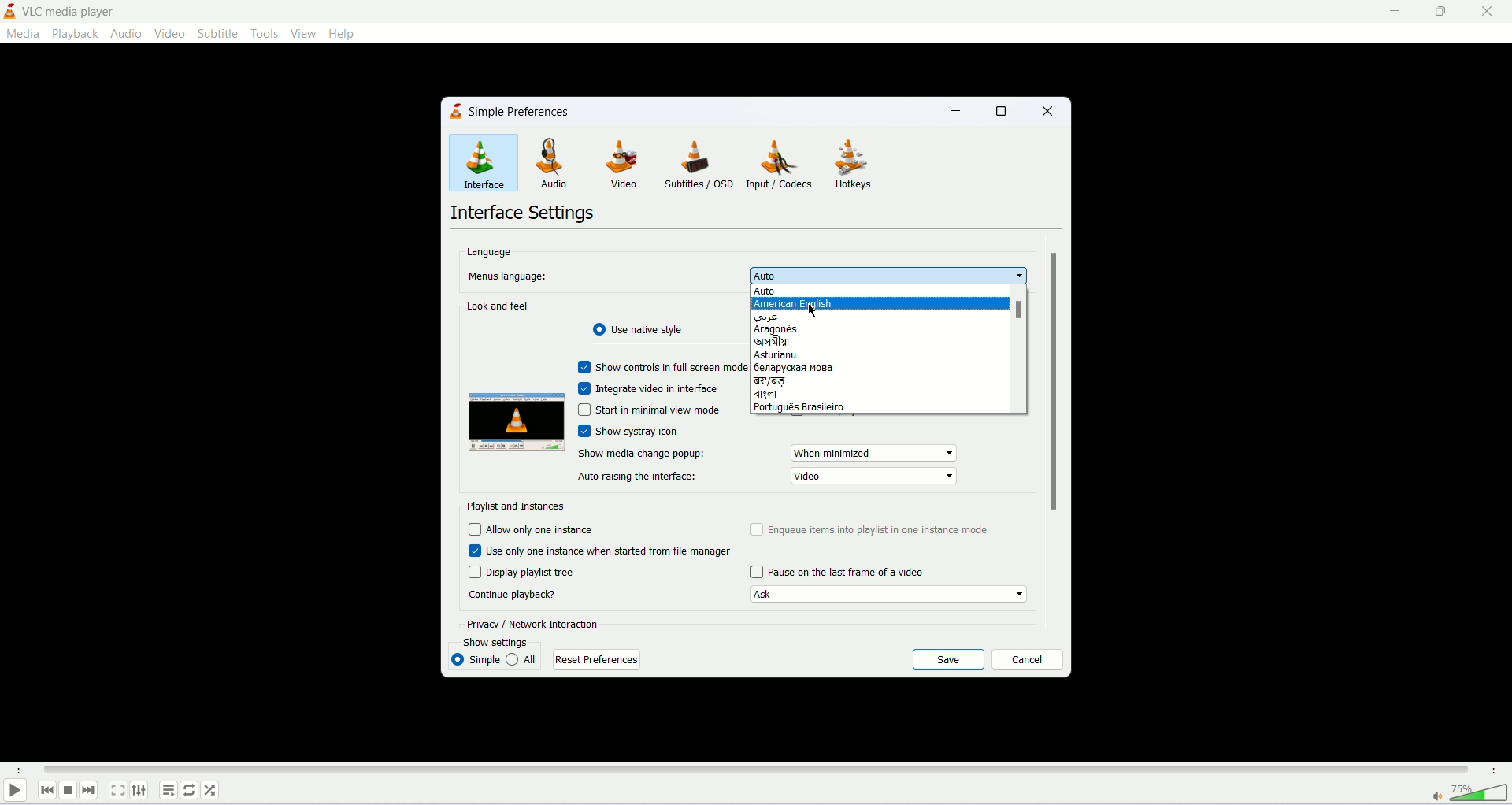 The image size is (1512, 805). I want to click on playback, so click(75, 33).